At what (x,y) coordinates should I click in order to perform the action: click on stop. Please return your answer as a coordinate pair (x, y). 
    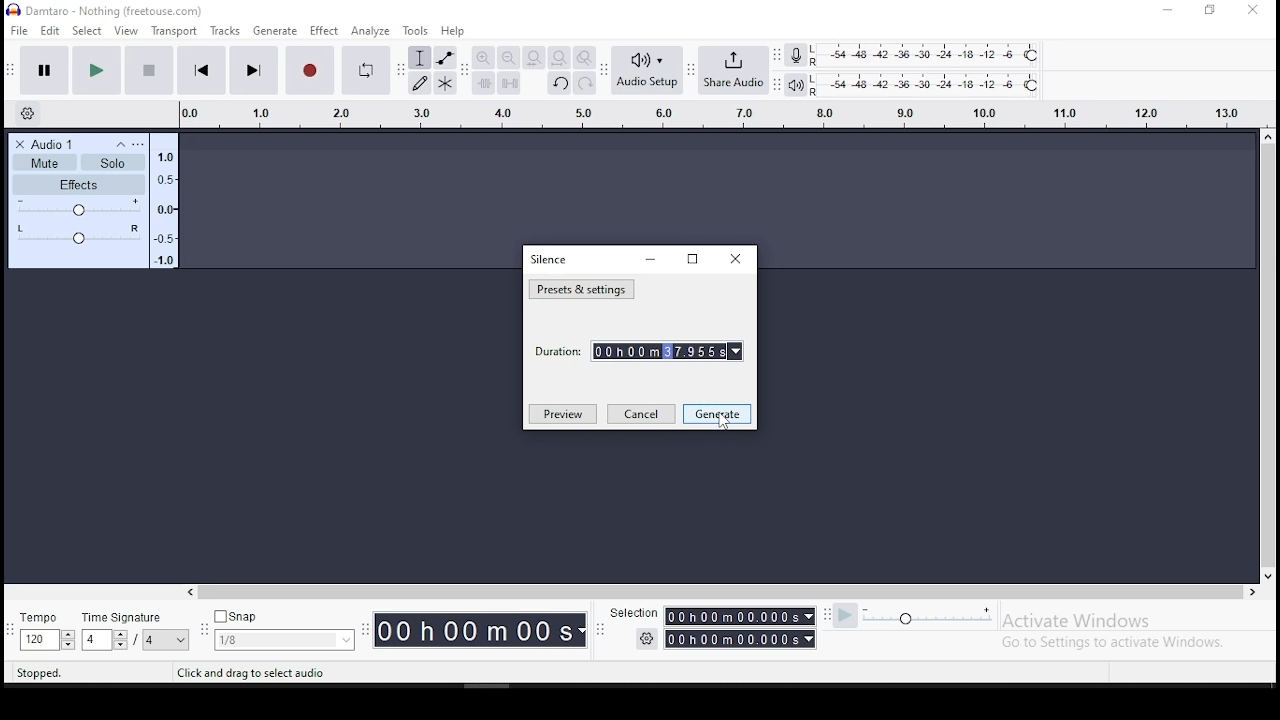
    Looking at the image, I should click on (150, 70).